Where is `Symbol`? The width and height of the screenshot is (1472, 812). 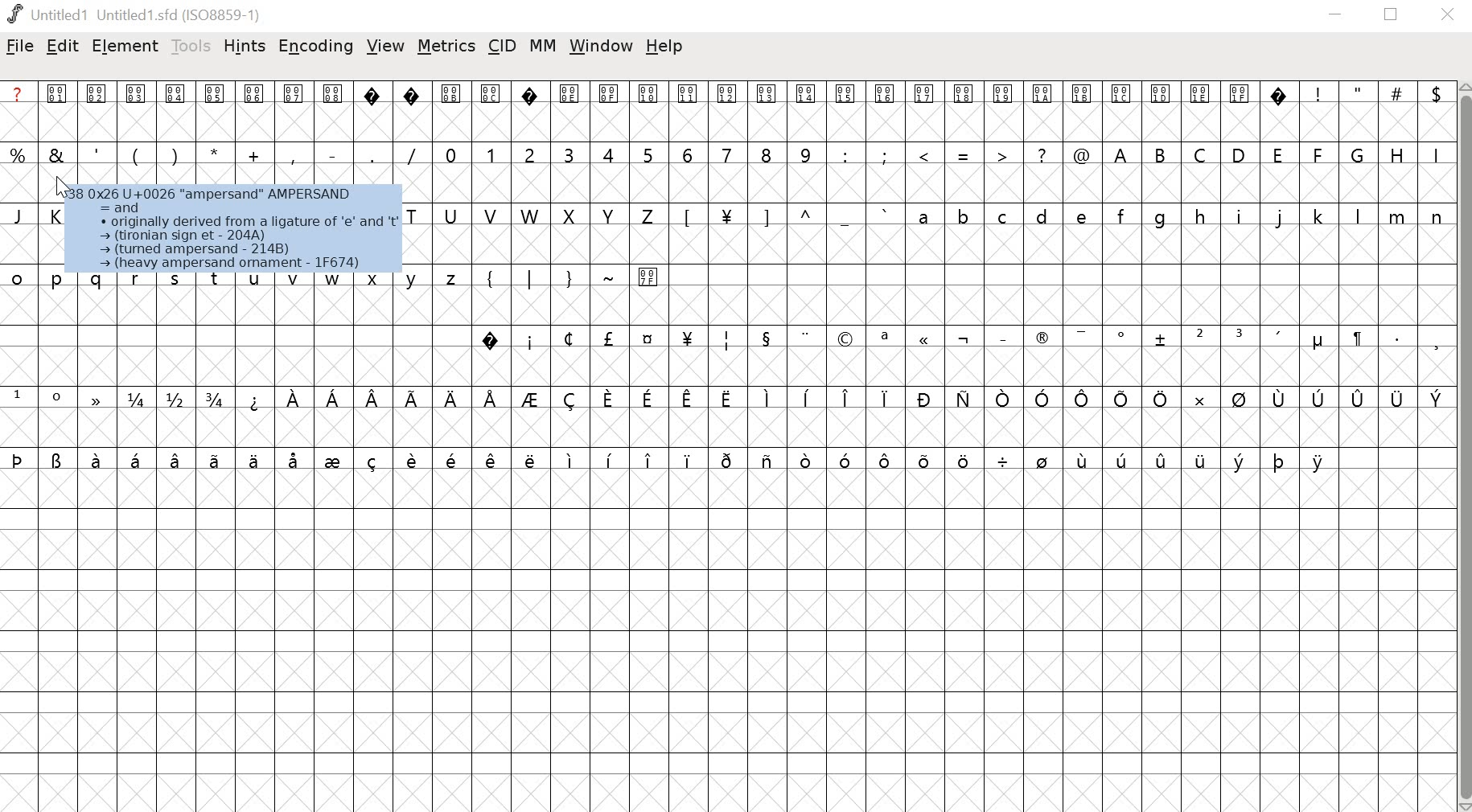
Symbol is located at coordinates (1318, 342).